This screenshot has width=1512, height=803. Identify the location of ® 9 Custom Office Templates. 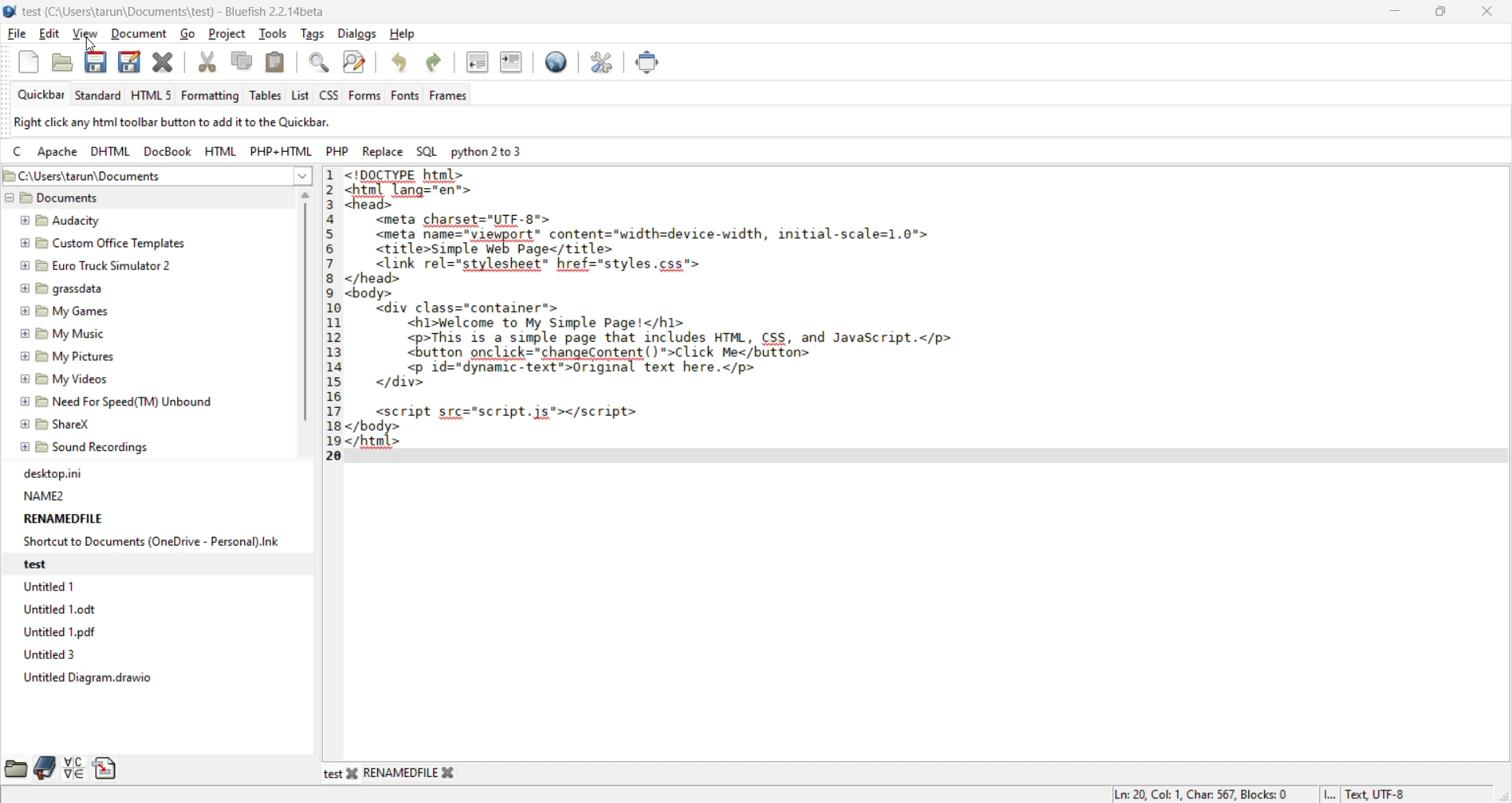
(103, 244).